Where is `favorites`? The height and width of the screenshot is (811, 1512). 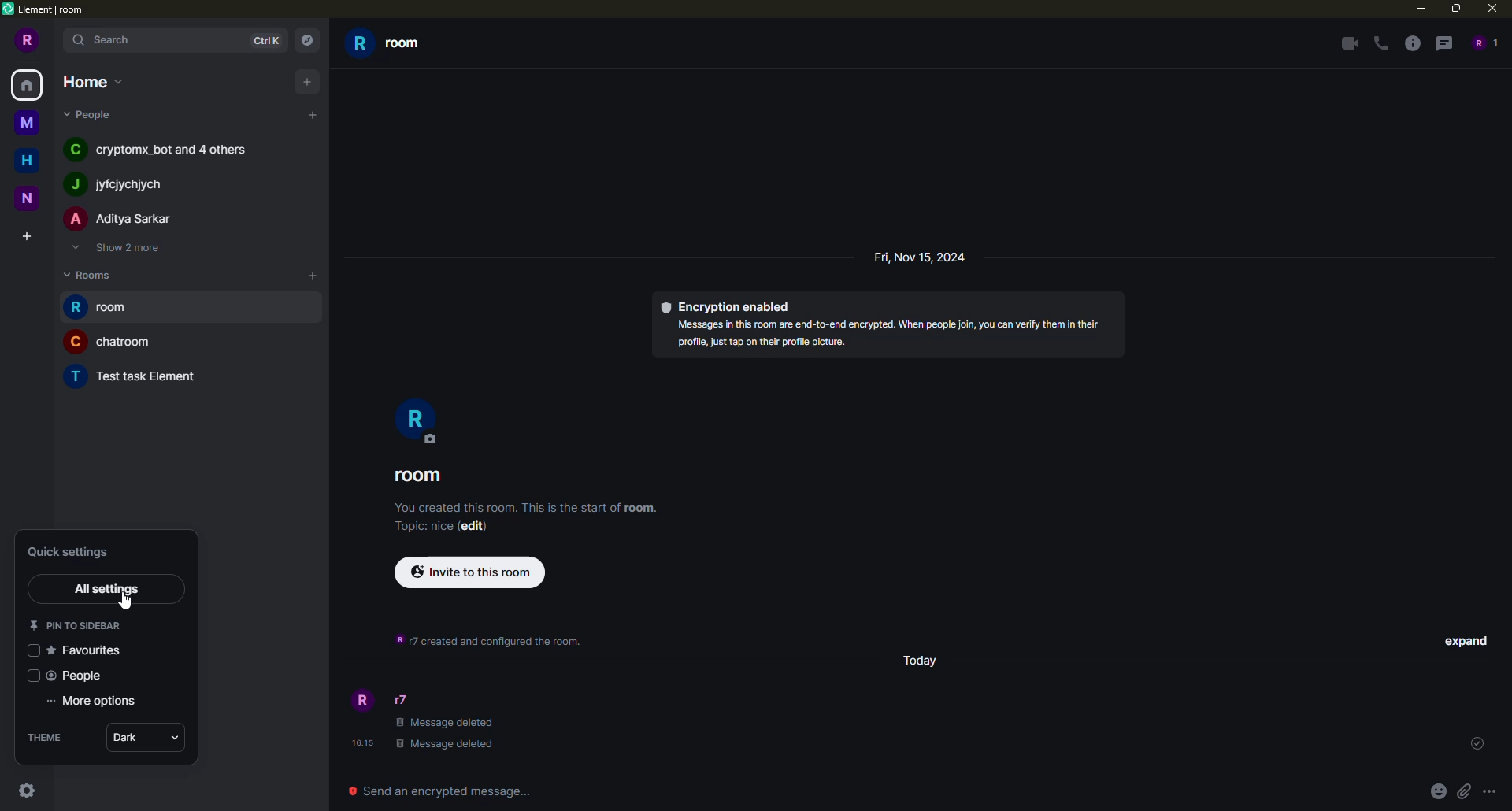 favorites is located at coordinates (91, 650).